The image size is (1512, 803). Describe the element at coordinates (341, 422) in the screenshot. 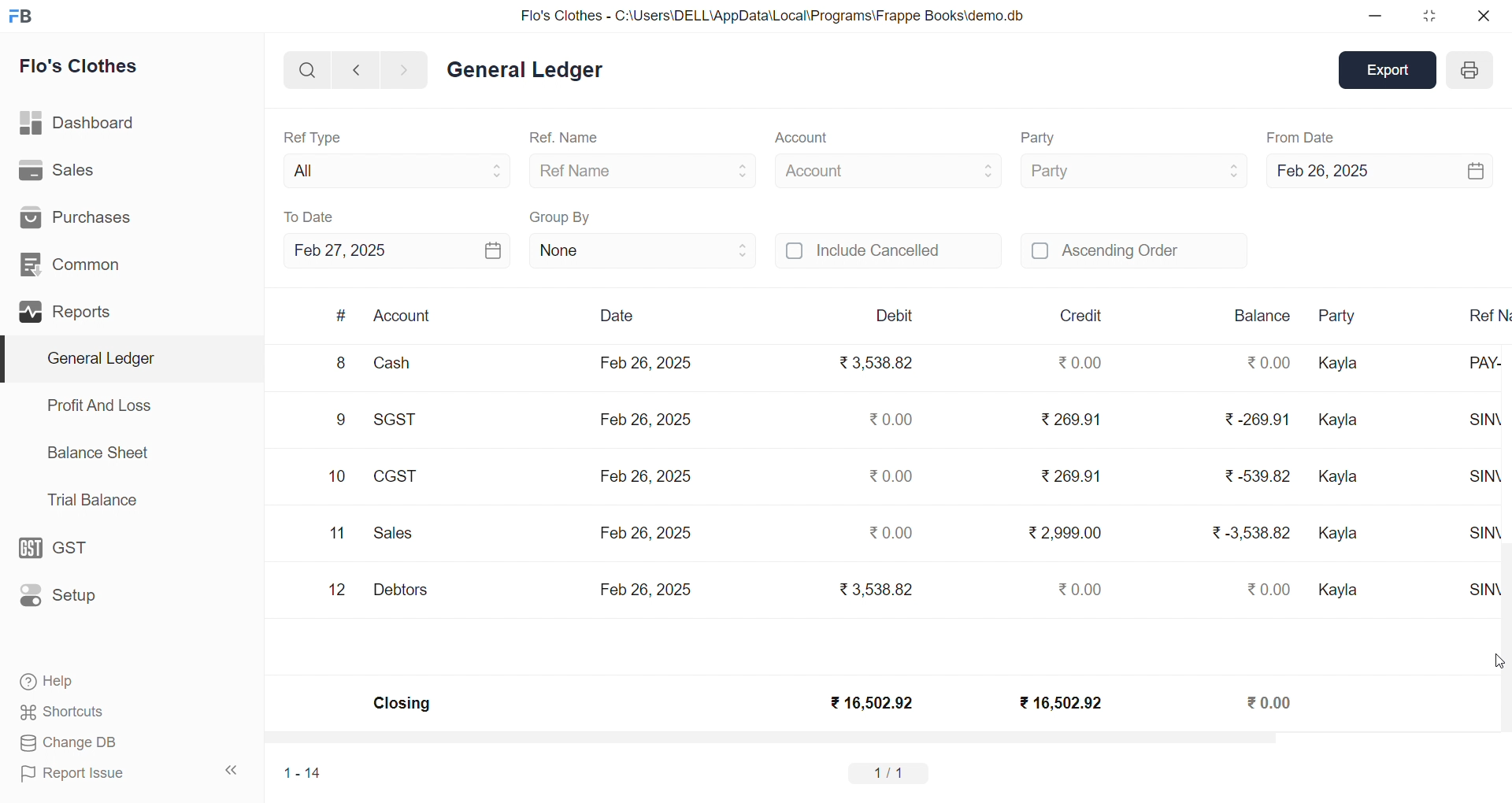

I see `9` at that location.